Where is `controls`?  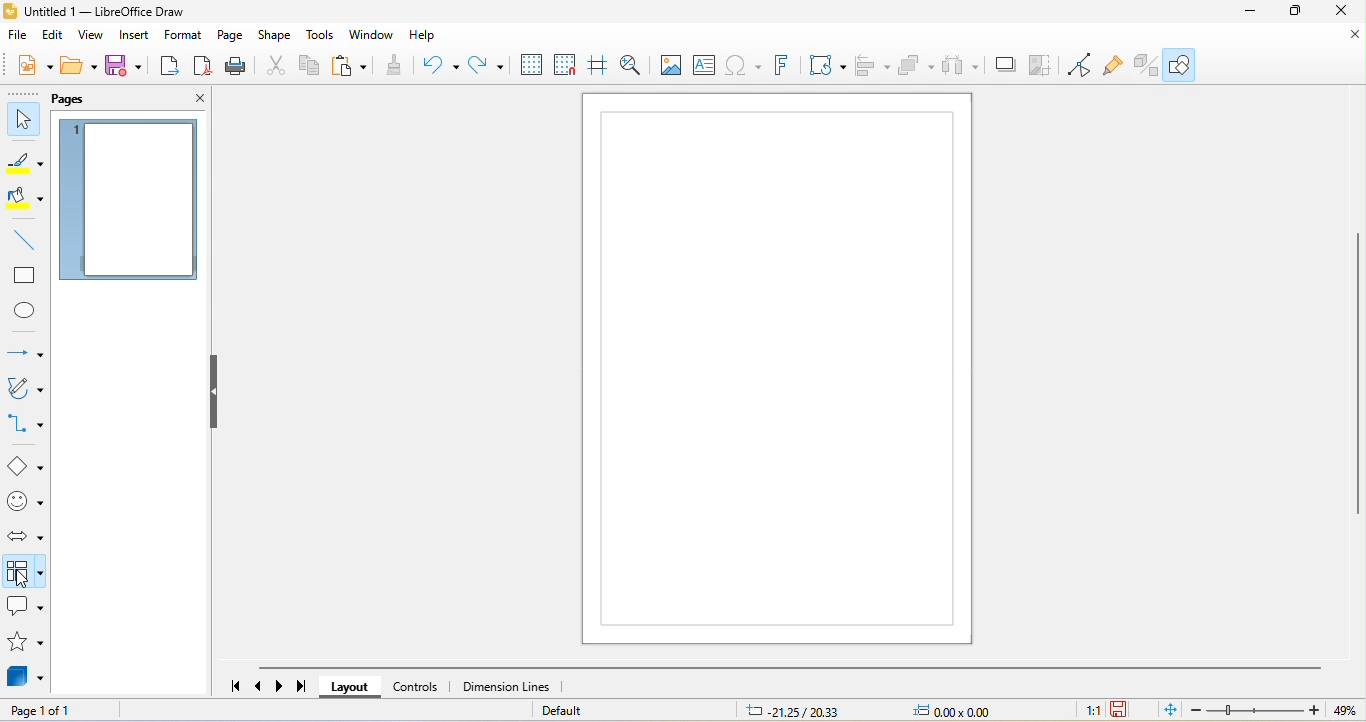 controls is located at coordinates (418, 686).